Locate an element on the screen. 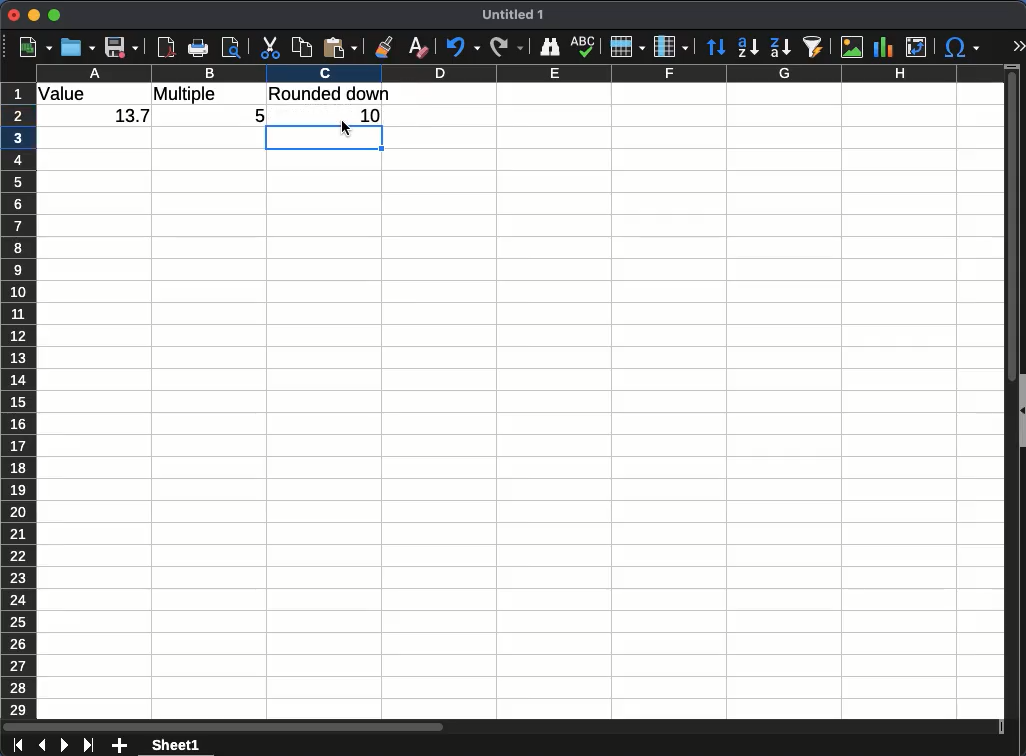 The width and height of the screenshot is (1026, 756). 10 is located at coordinates (333, 113).